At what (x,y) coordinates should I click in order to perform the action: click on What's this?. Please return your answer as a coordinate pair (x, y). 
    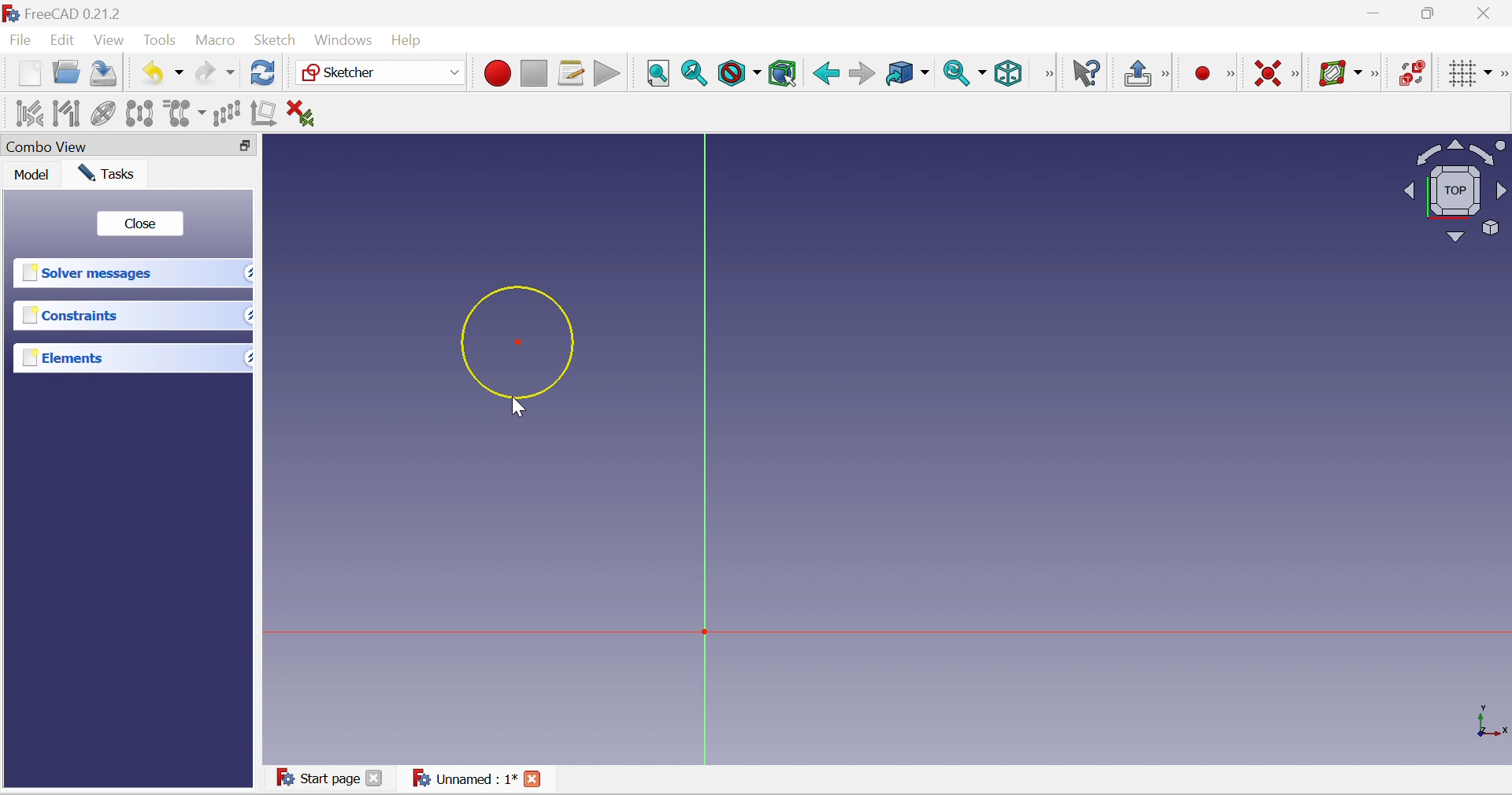
    Looking at the image, I should click on (1089, 73).